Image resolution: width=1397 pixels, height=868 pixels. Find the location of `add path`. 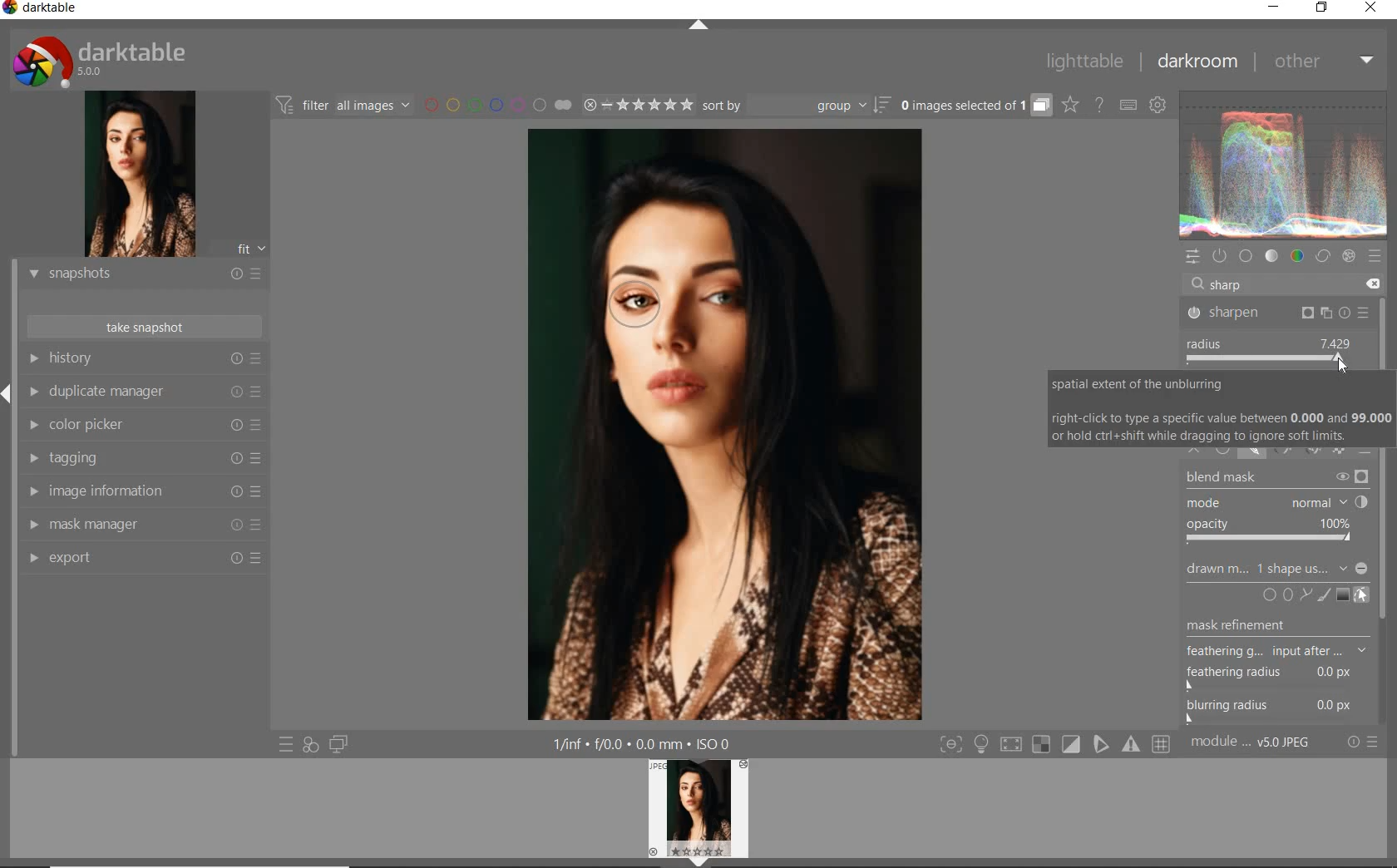

add path is located at coordinates (1306, 594).